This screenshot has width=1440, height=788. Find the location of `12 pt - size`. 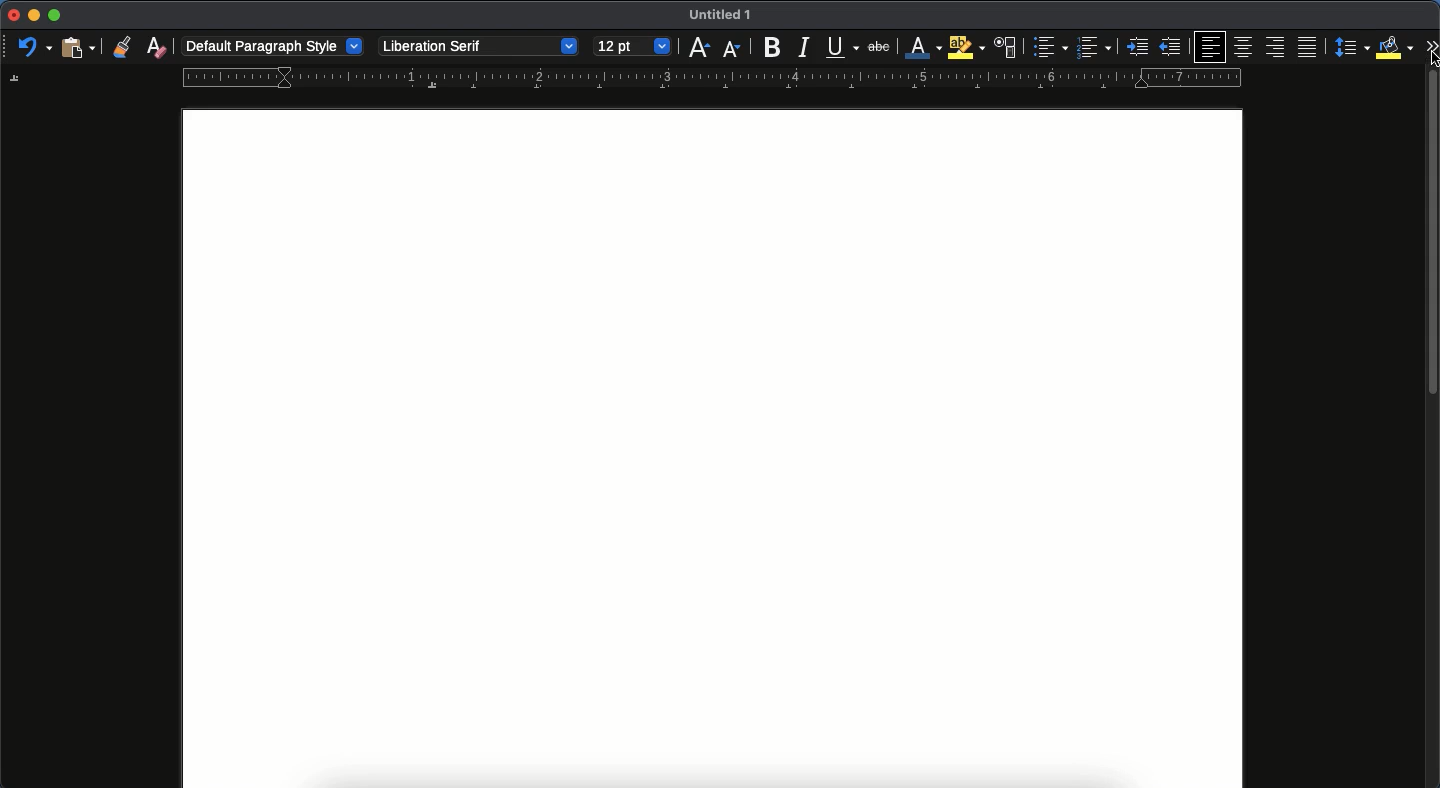

12 pt - size is located at coordinates (631, 47).